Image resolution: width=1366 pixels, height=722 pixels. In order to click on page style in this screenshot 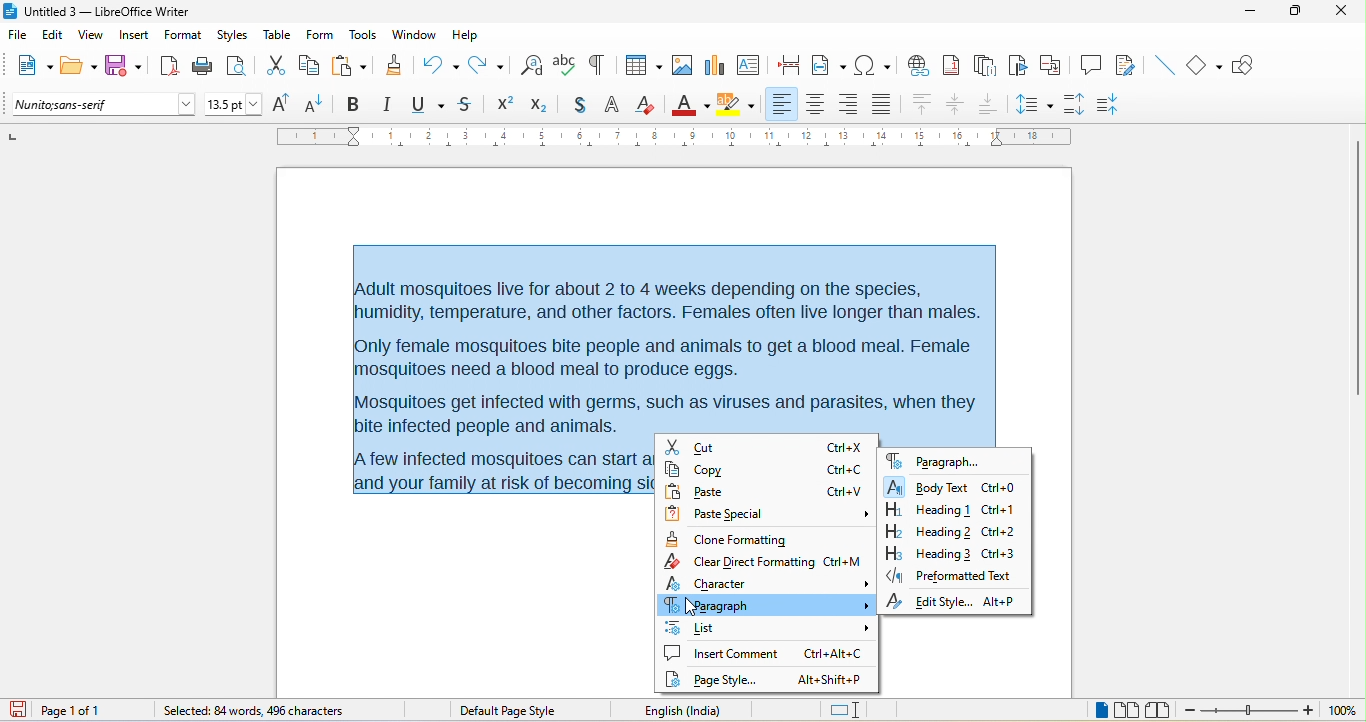, I will do `click(718, 680)`.